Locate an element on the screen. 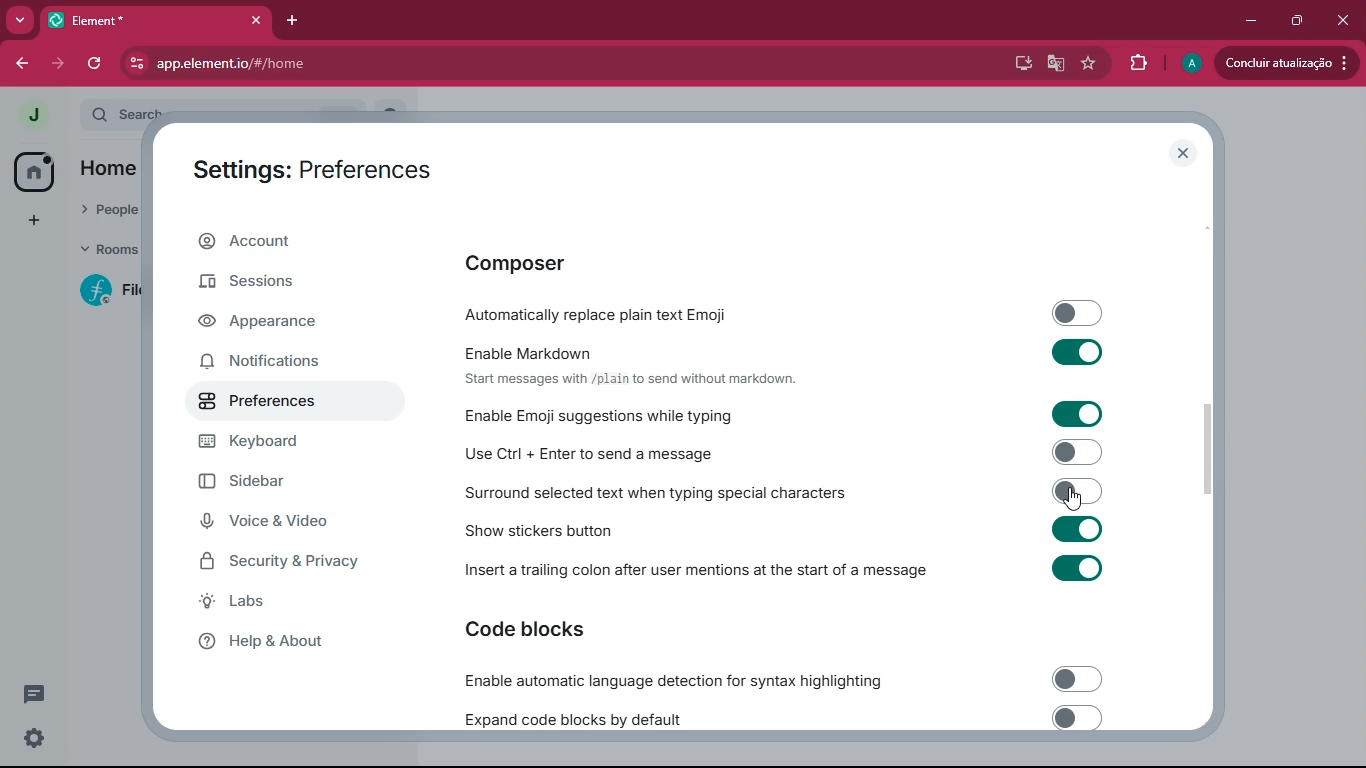 Image resolution: width=1366 pixels, height=768 pixels. security & privacy is located at coordinates (281, 560).